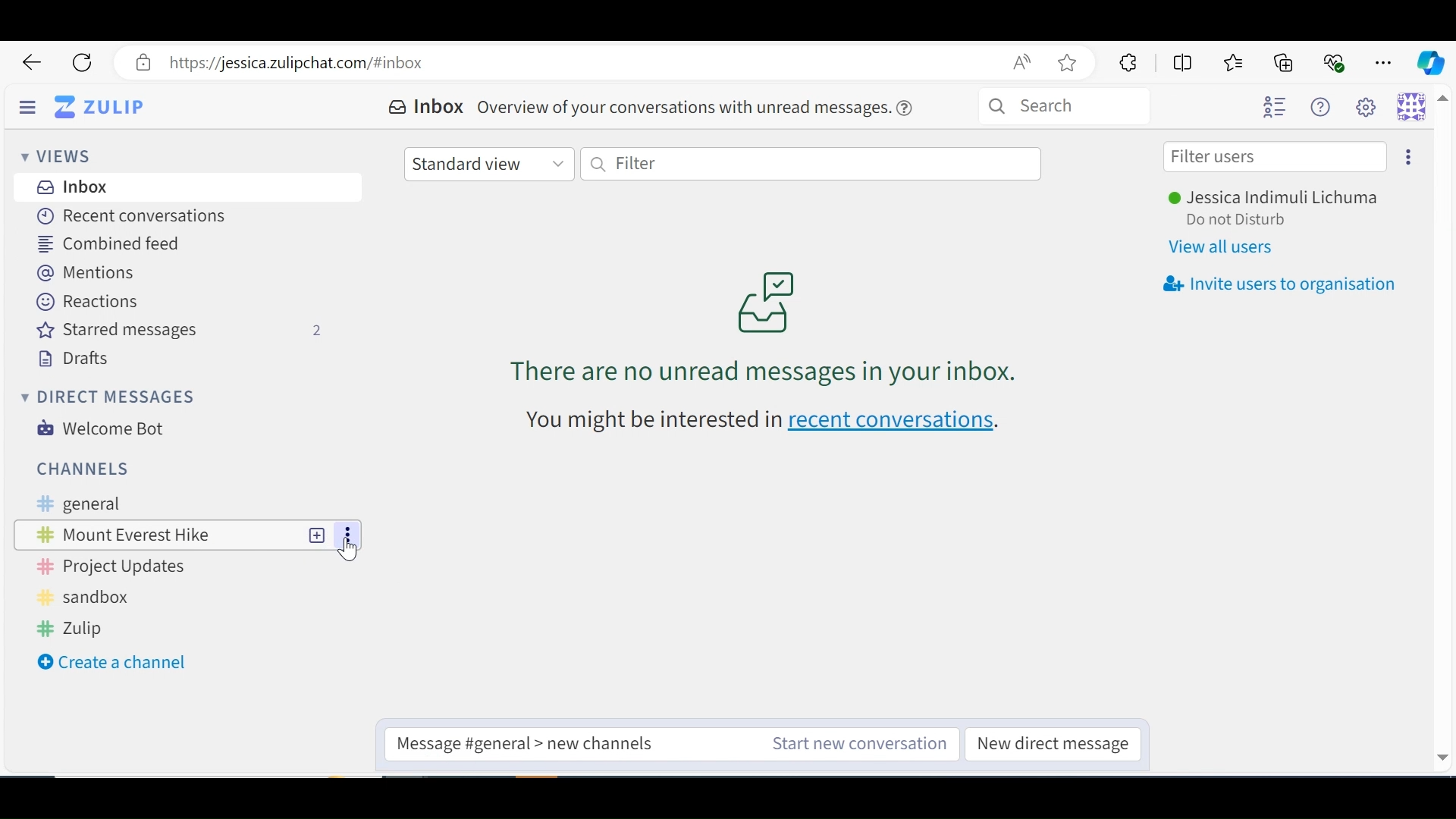  Describe the element at coordinates (89, 301) in the screenshot. I see `Reactions` at that location.